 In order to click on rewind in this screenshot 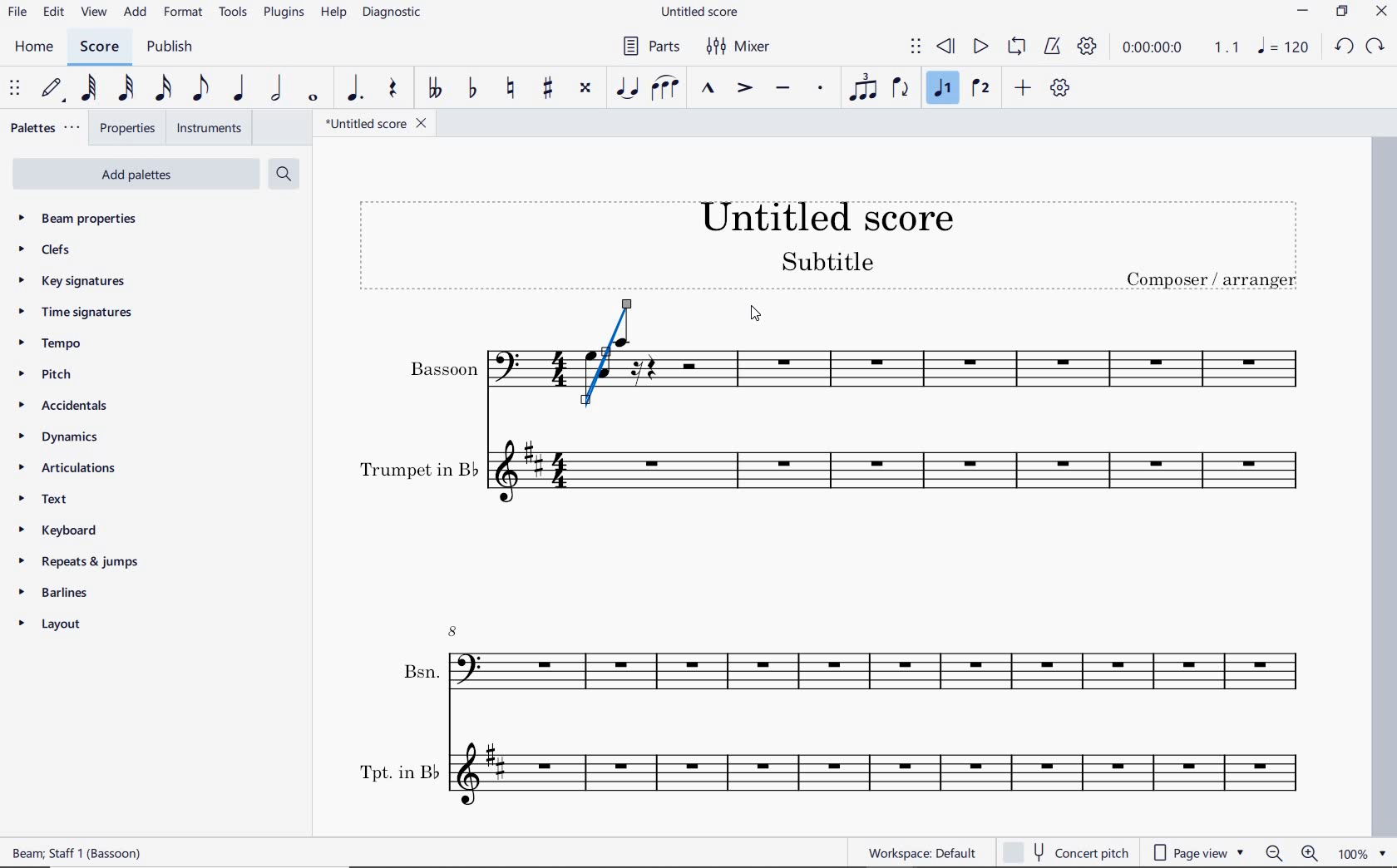, I will do `click(946, 47)`.